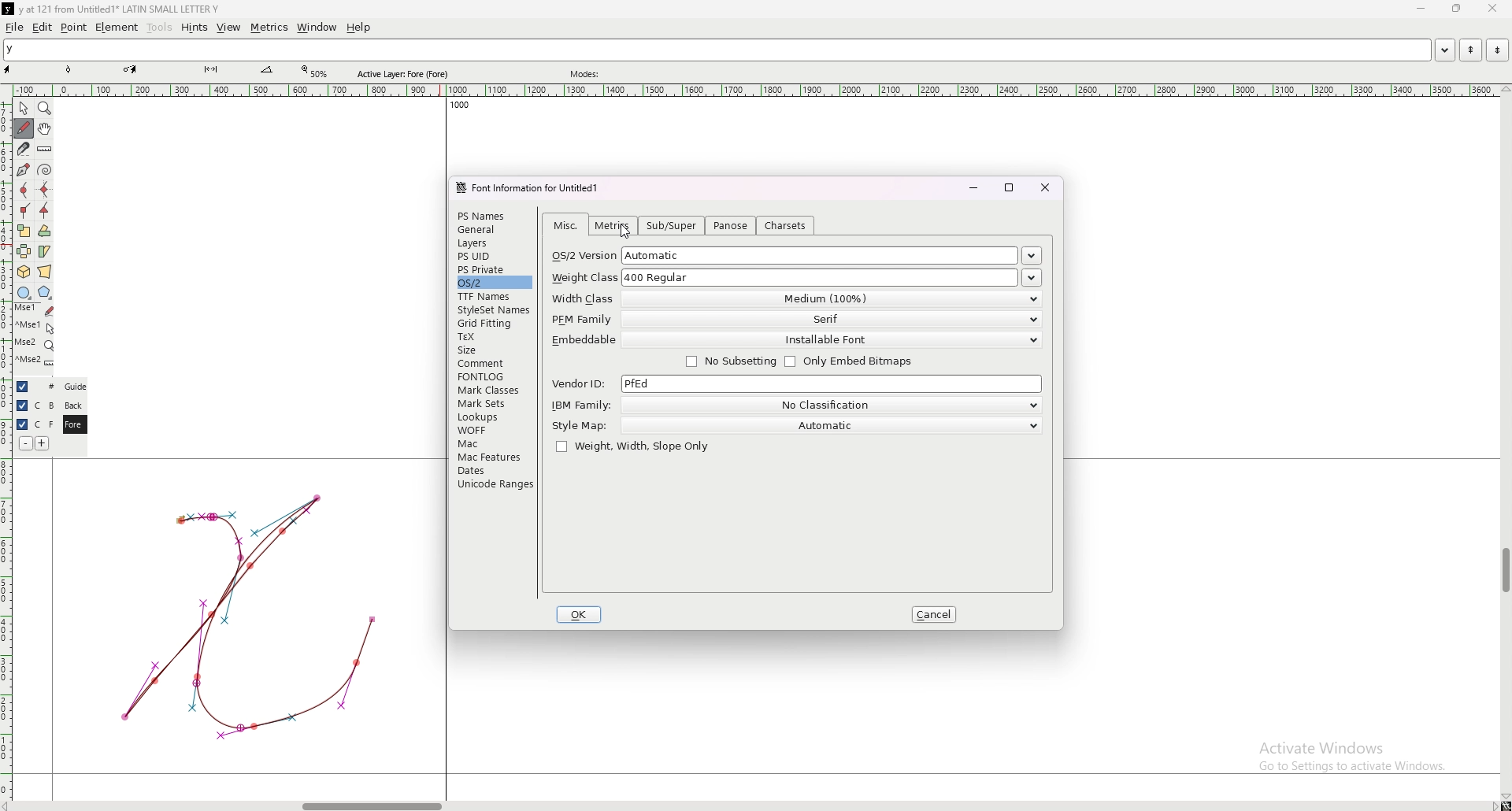  What do you see at coordinates (248, 615) in the screenshot?
I see `graph` at bounding box center [248, 615].